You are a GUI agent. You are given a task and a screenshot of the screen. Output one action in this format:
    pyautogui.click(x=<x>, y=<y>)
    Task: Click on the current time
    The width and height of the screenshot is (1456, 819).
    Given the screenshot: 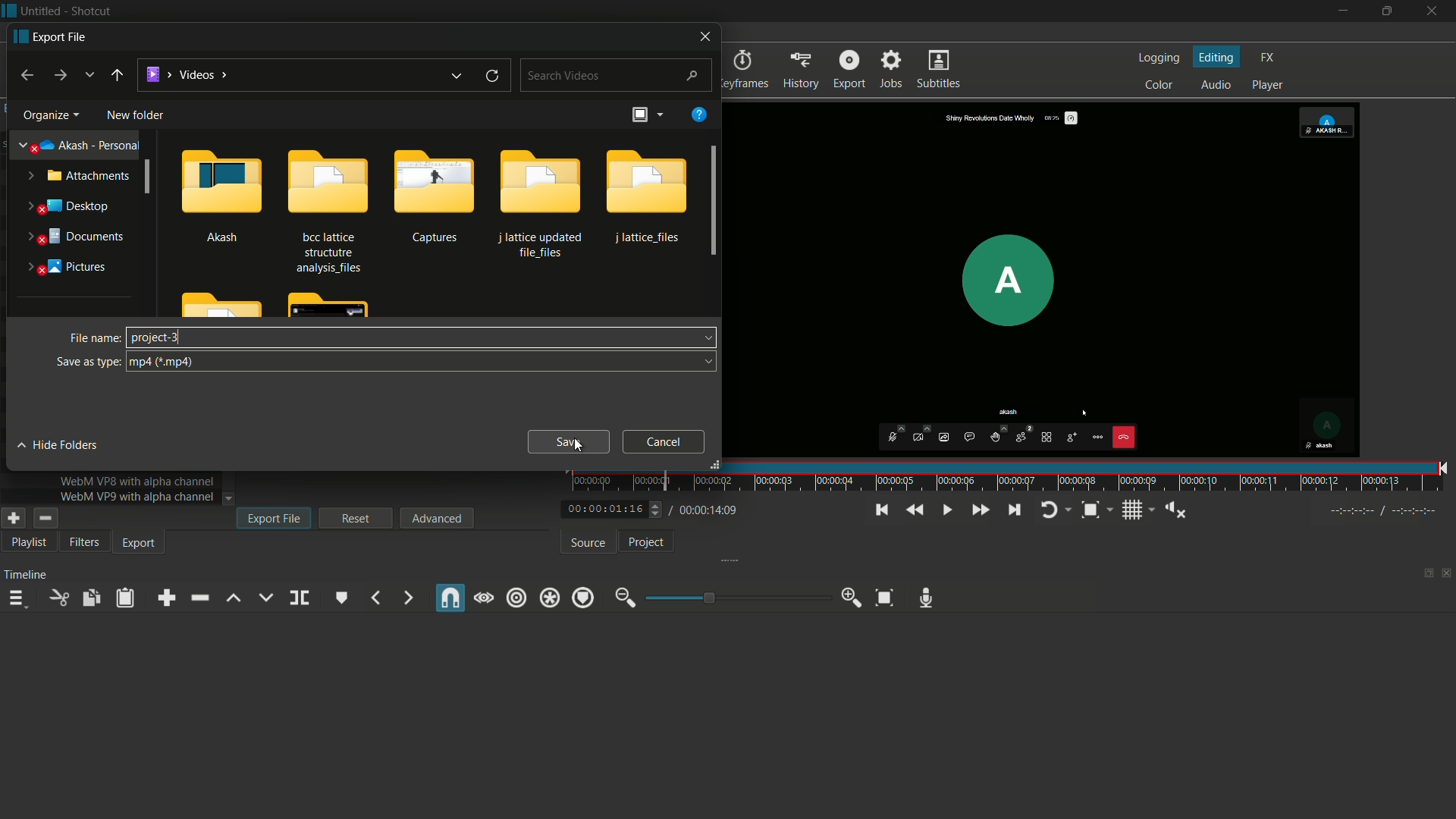 What is the action you would take?
    pyautogui.click(x=602, y=509)
    